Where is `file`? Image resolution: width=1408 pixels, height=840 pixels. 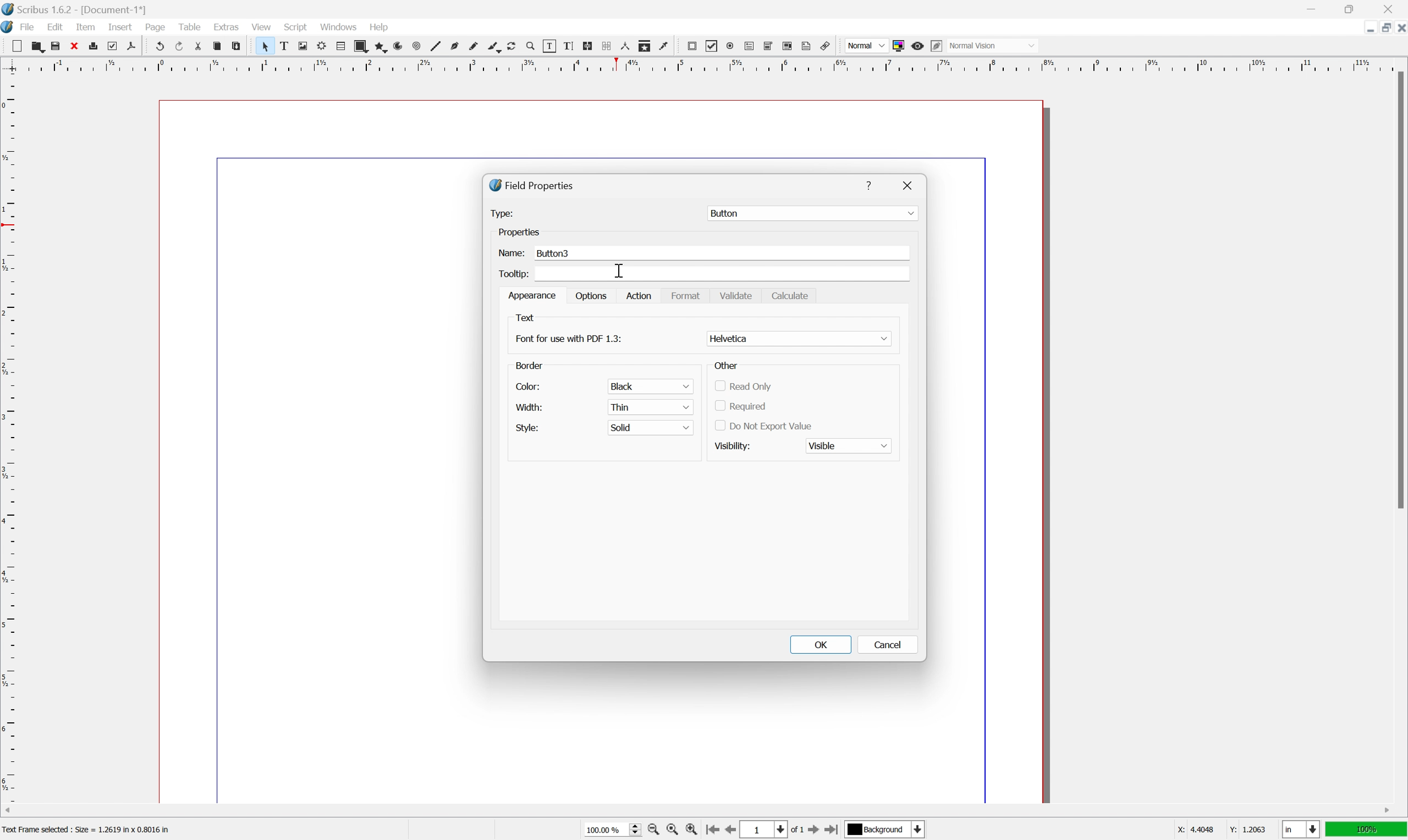 file is located at coordinates (31, 27).